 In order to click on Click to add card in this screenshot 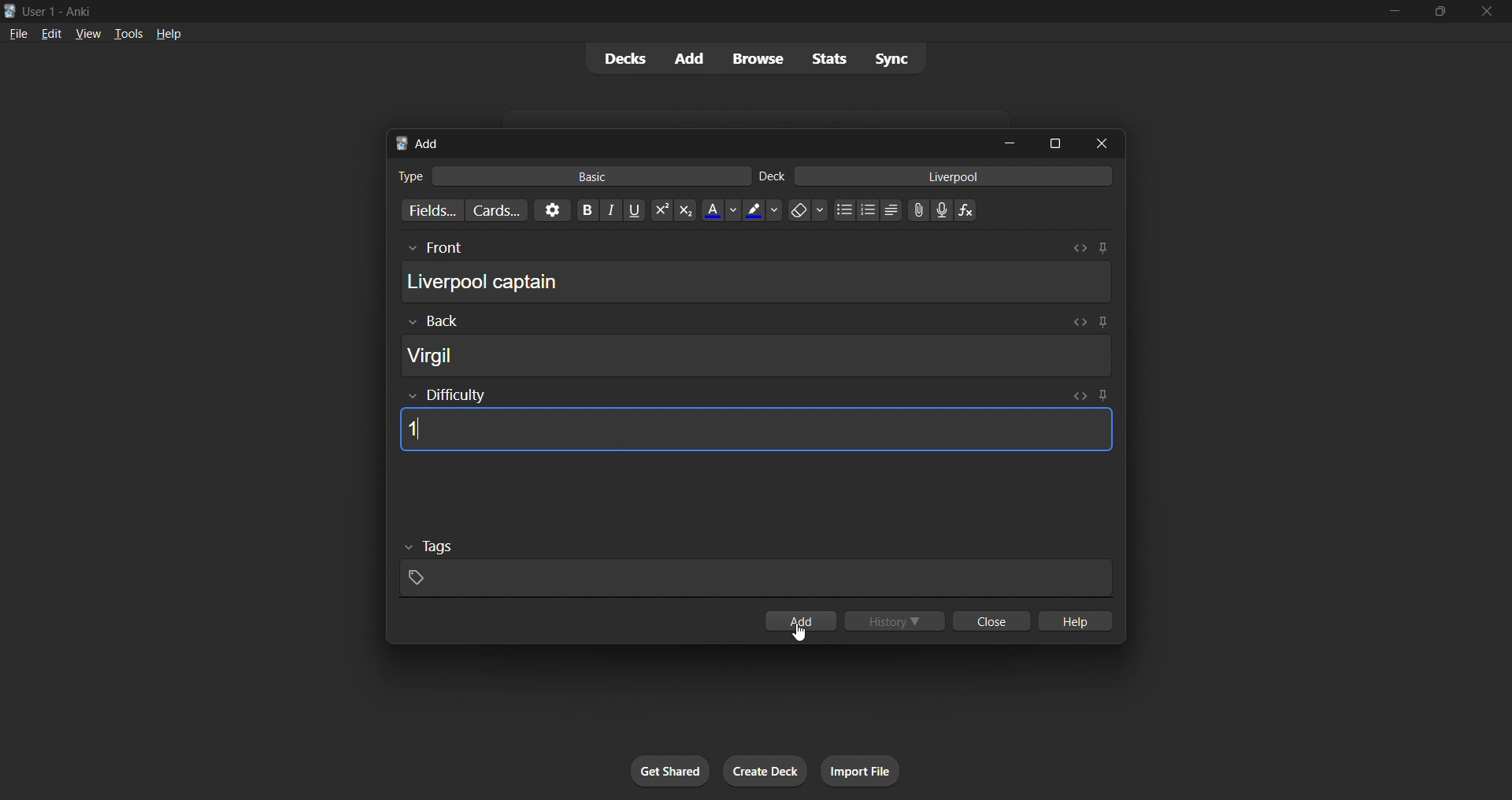, I will do `click(800, 620)`.